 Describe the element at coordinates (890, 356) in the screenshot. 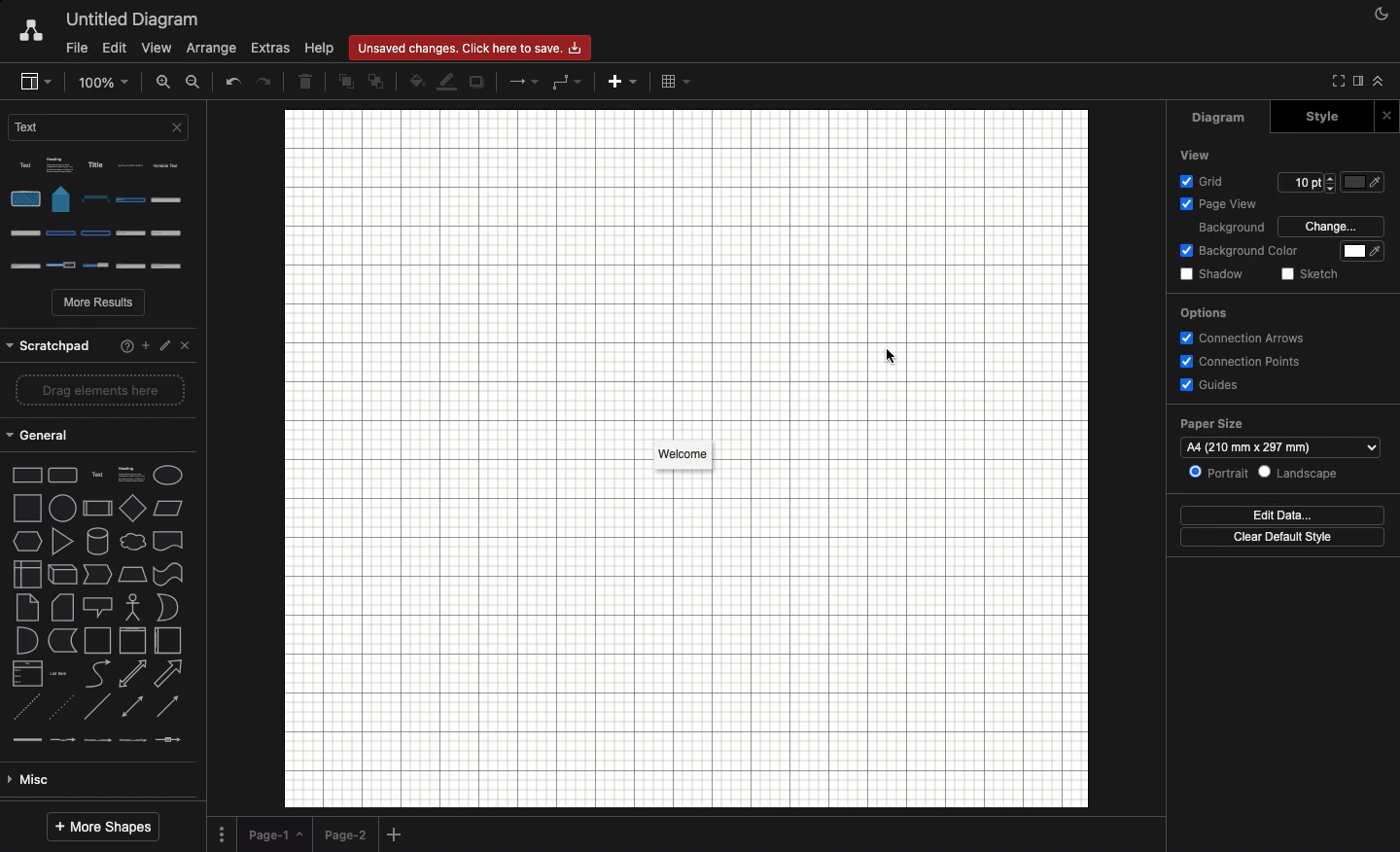

I see `Click` at that location.